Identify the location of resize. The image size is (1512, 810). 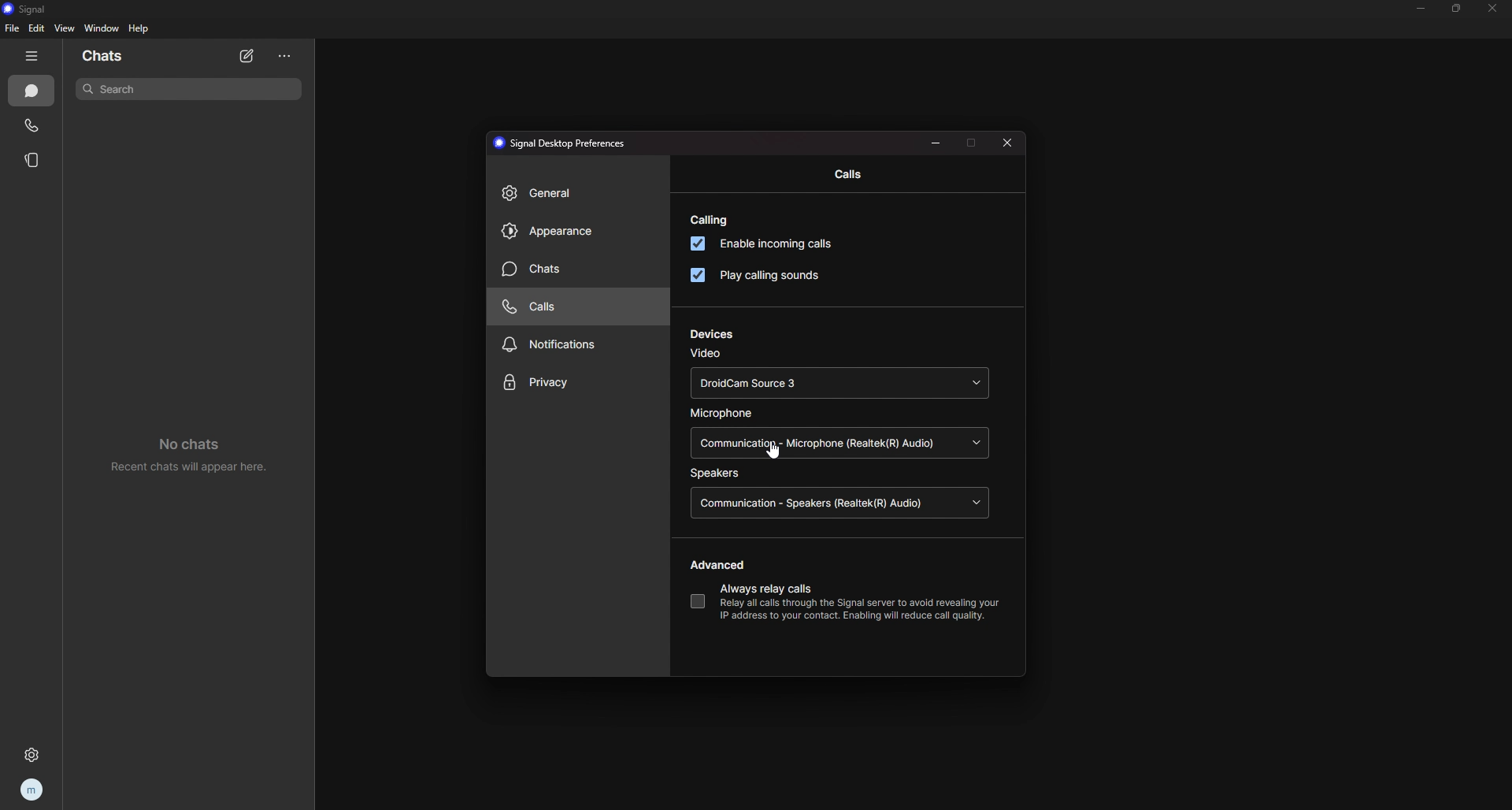
(936, 143).